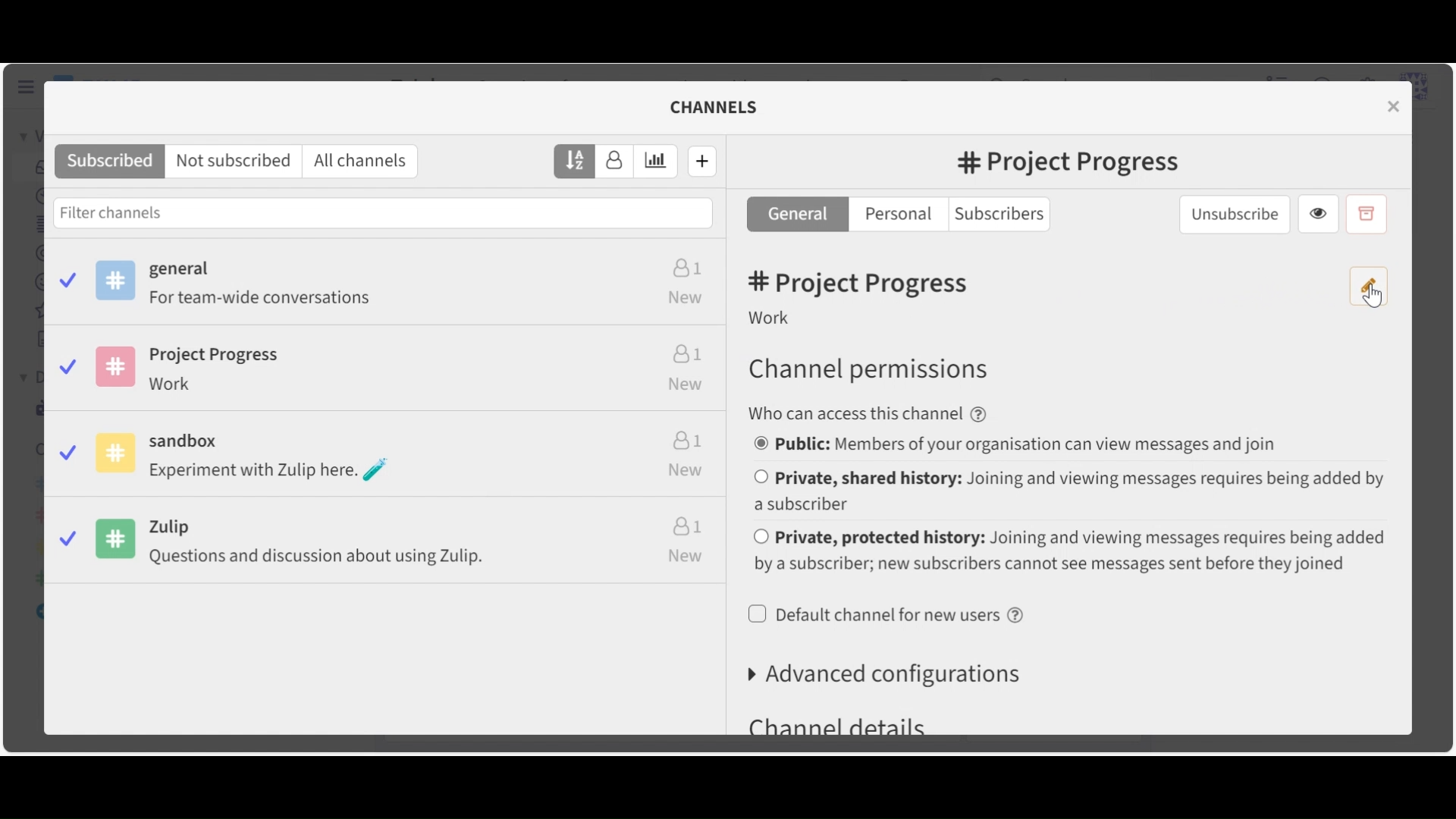 The height and width of the screenshot is (819, 1456). What do you see at coordinates (233, 160) in the screenshot?
I see `Not Subscribed` at bounding box center [233, 160].